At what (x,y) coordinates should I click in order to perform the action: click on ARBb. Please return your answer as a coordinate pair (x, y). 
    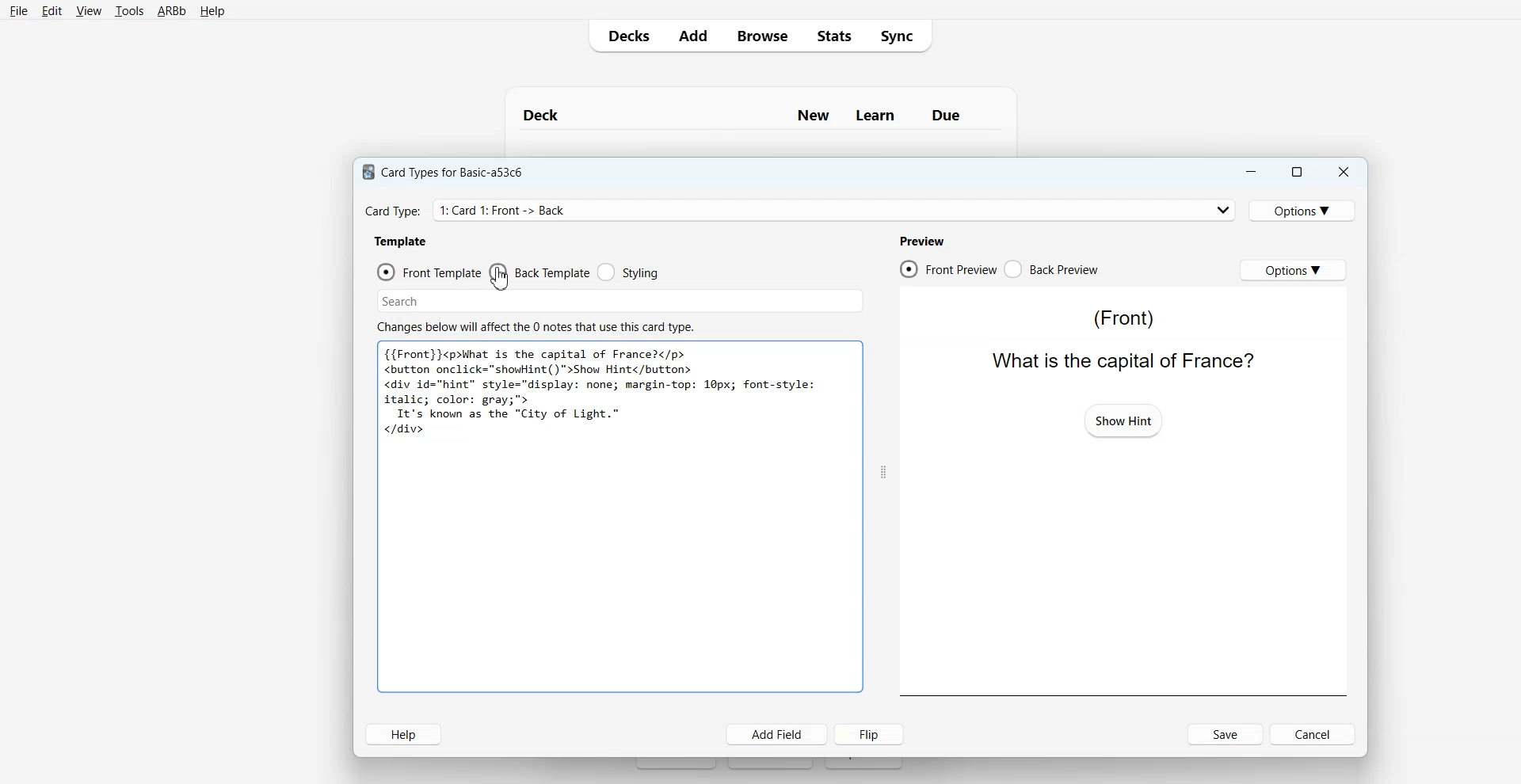
    Looking at the image, I should click on (170, 12).